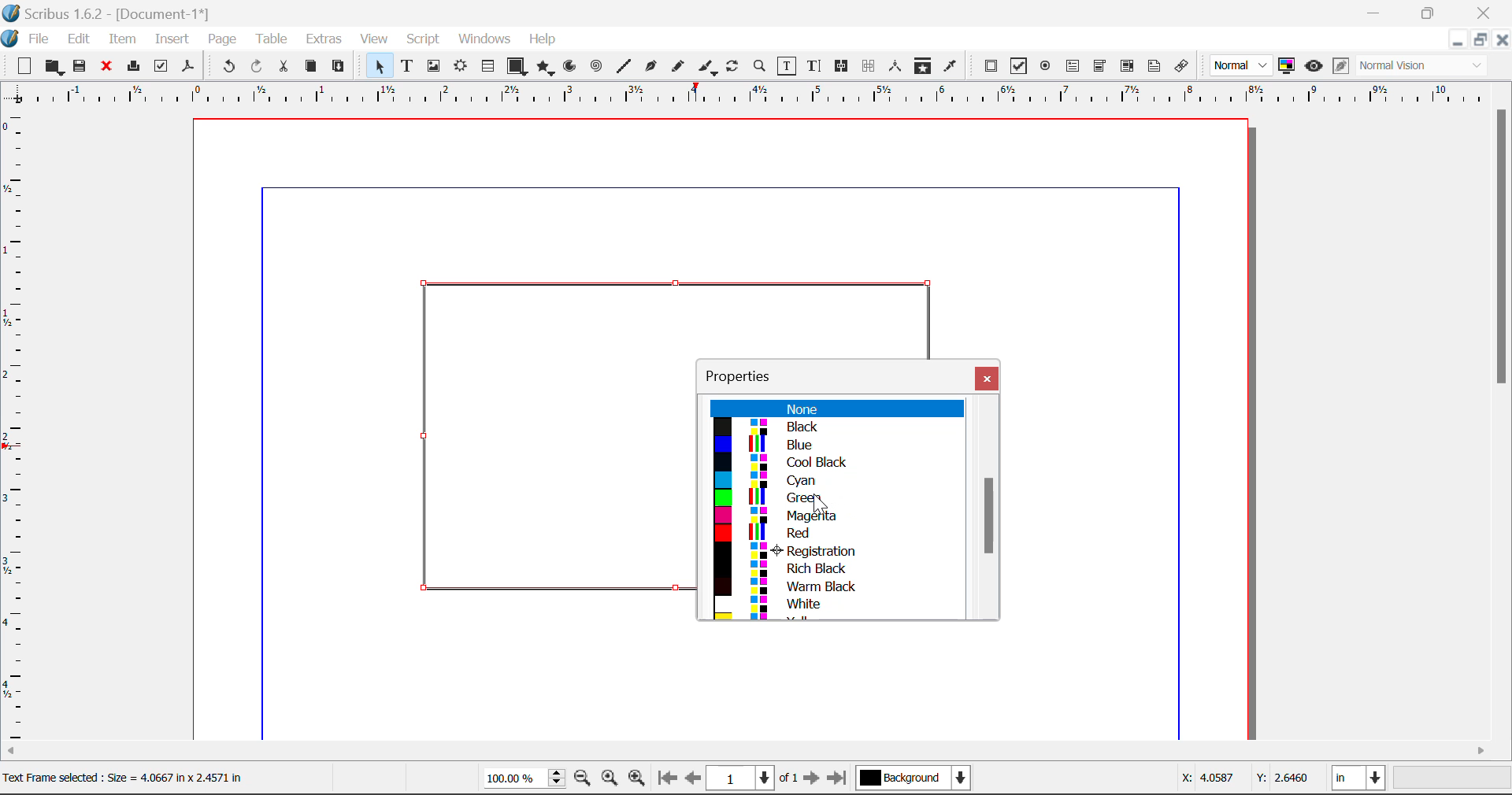 The image size is (1512, 795). What do you see at coordinates (836, 463) in the screenshot?
I see `Cool Black` at bounding box center [836, 463].